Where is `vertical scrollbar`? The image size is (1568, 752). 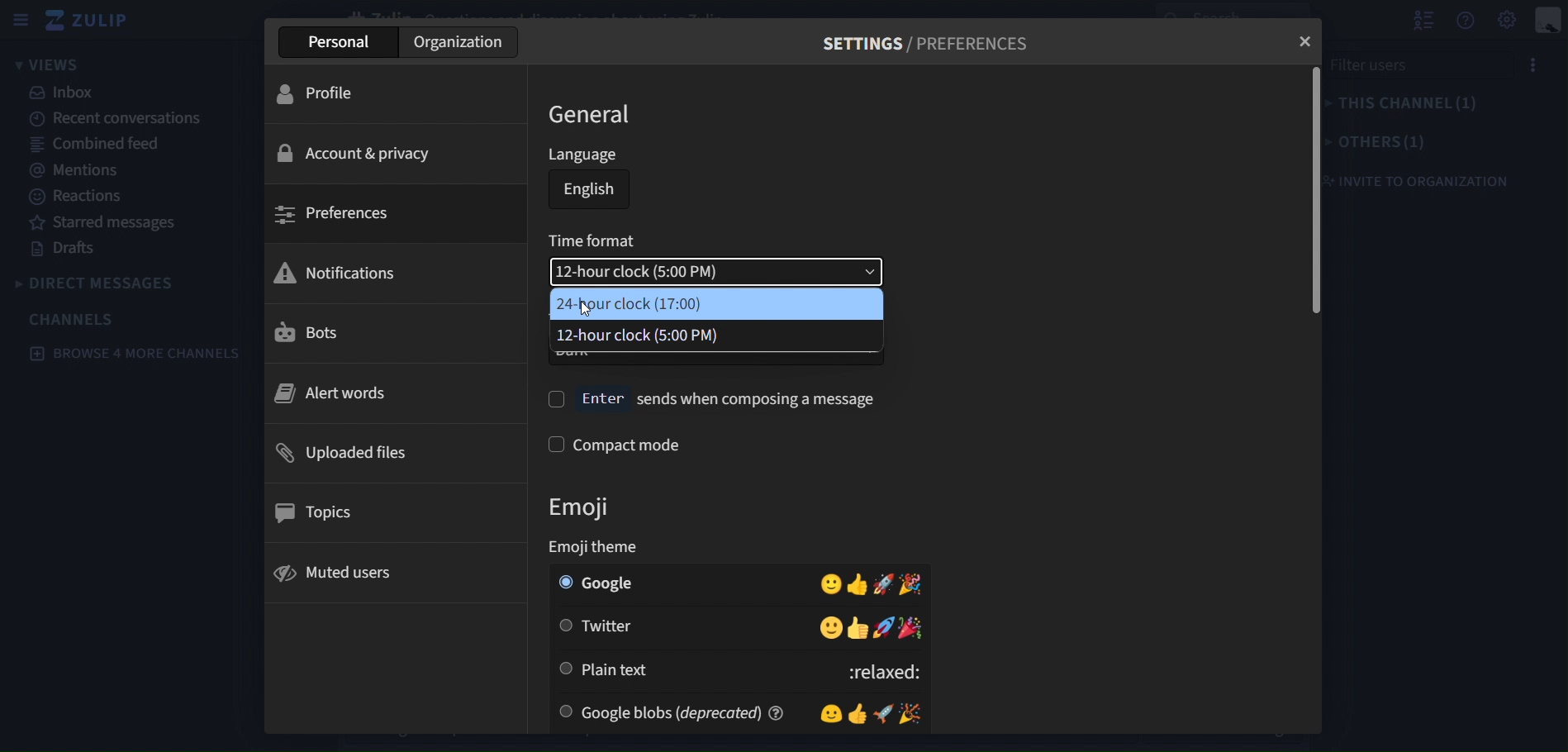
vertical scrollbar is located at coordinates (1314, 190).